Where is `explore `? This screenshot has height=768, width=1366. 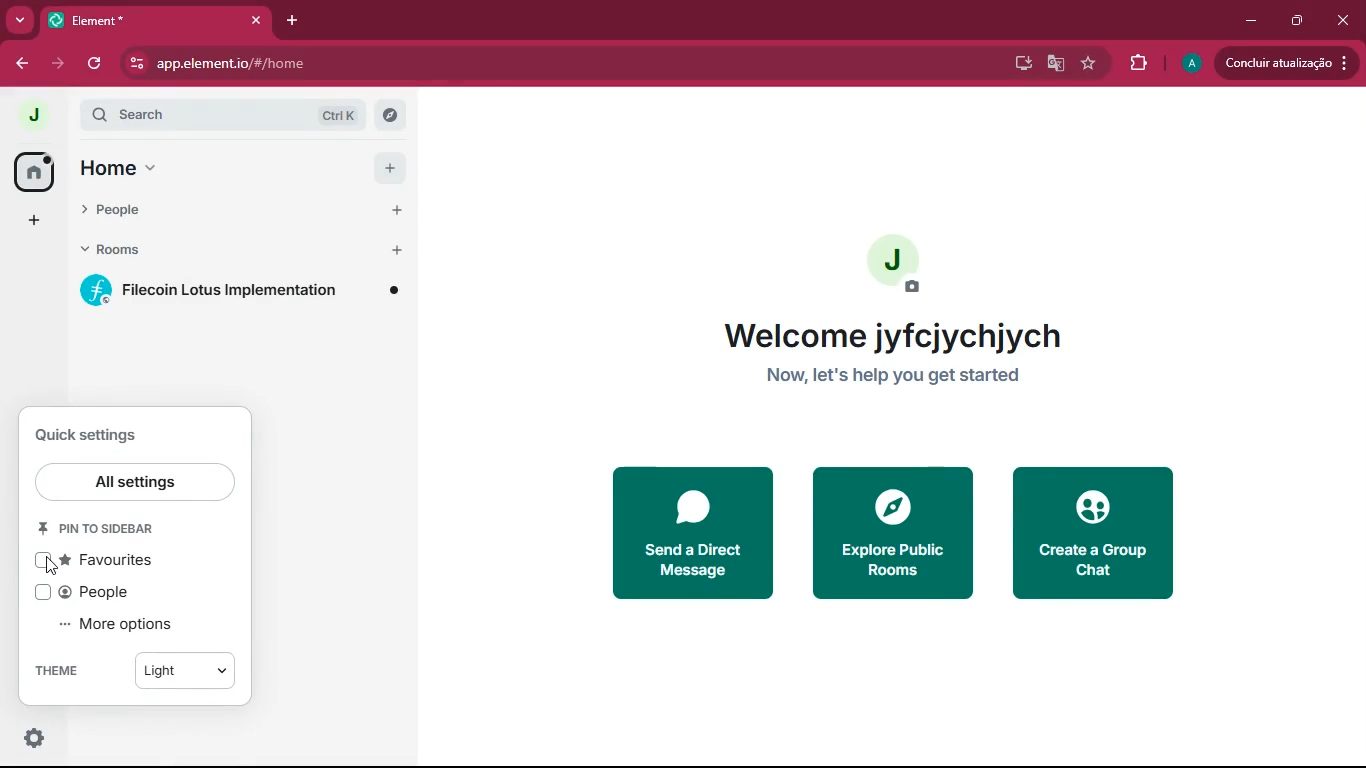 explore  is located at coordinates (891, 532).